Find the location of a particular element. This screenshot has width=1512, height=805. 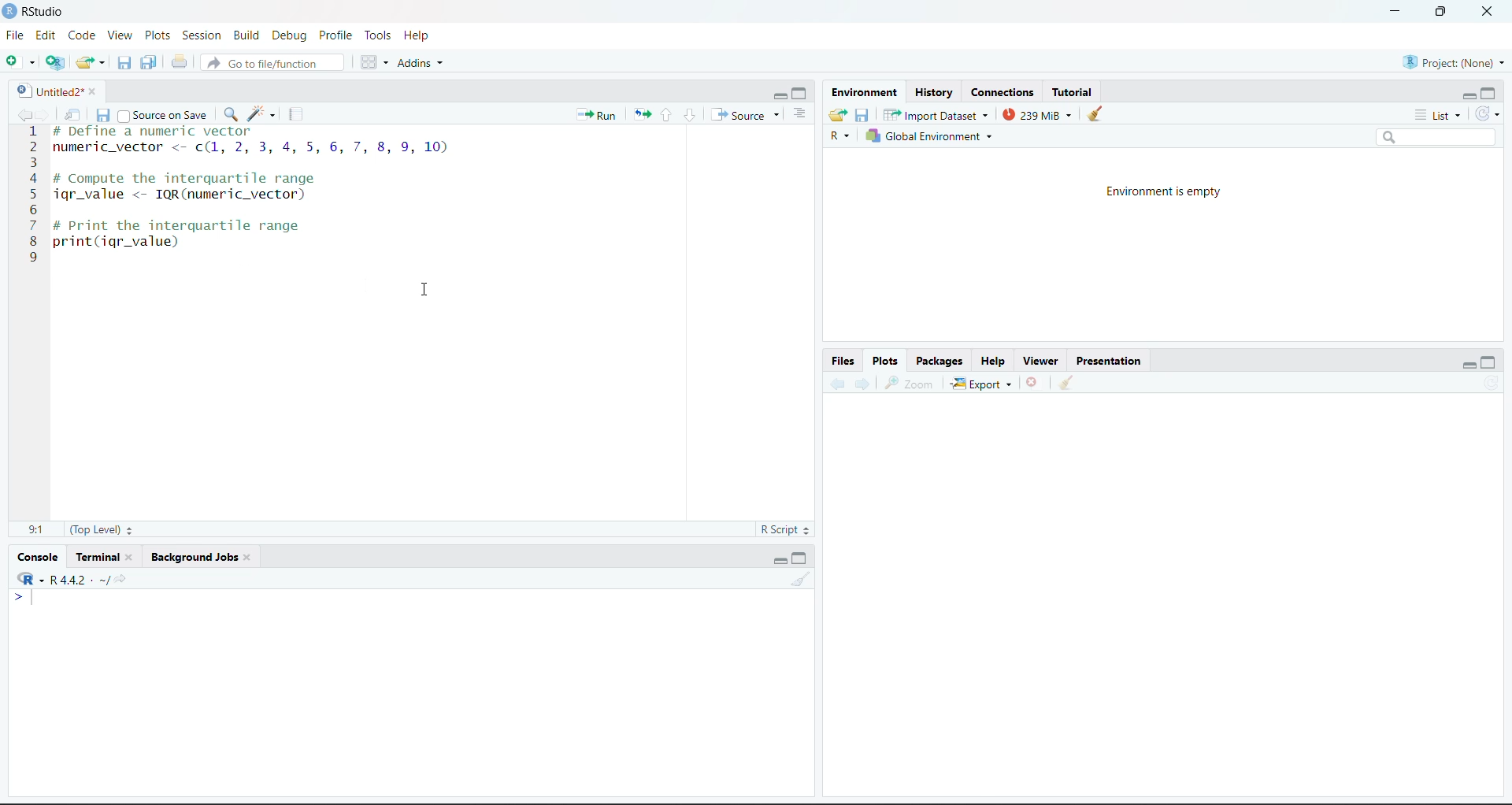

Print the current file is located at coordinates (178, 61).